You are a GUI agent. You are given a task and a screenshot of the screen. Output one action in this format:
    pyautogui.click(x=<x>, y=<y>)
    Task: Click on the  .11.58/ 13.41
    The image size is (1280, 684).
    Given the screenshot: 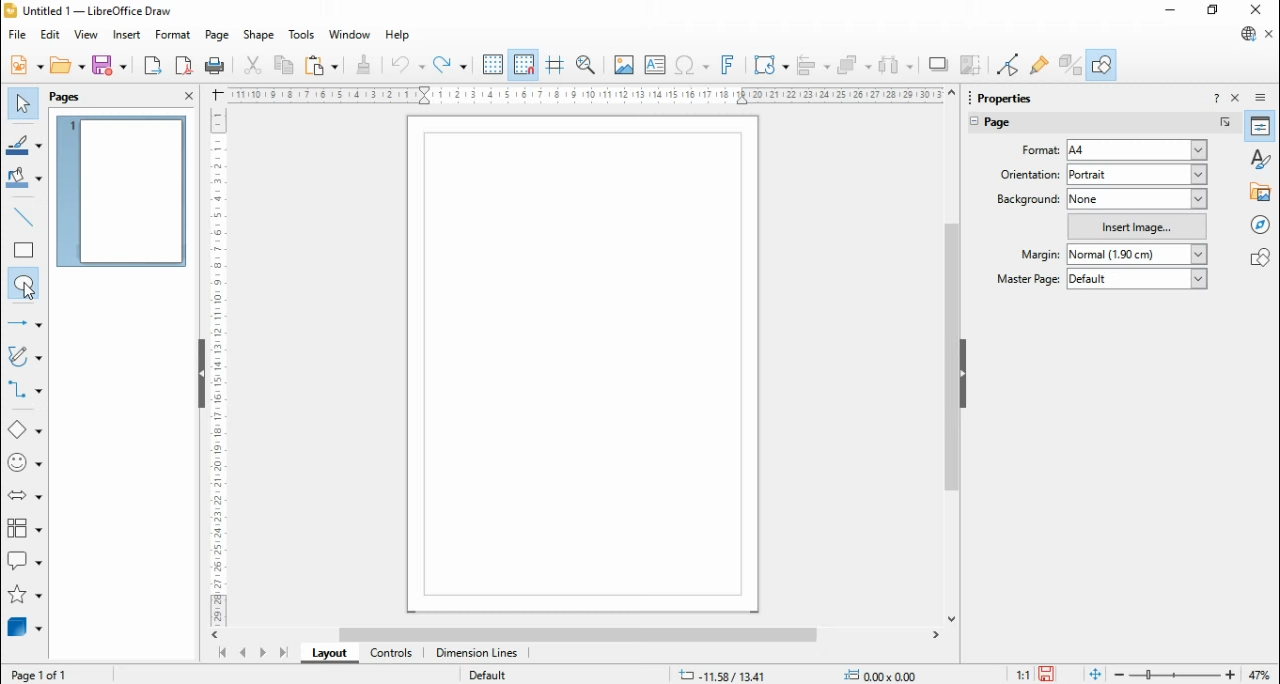 What is the action you would take?
    pyautogui.click(x=719, y=674)
    